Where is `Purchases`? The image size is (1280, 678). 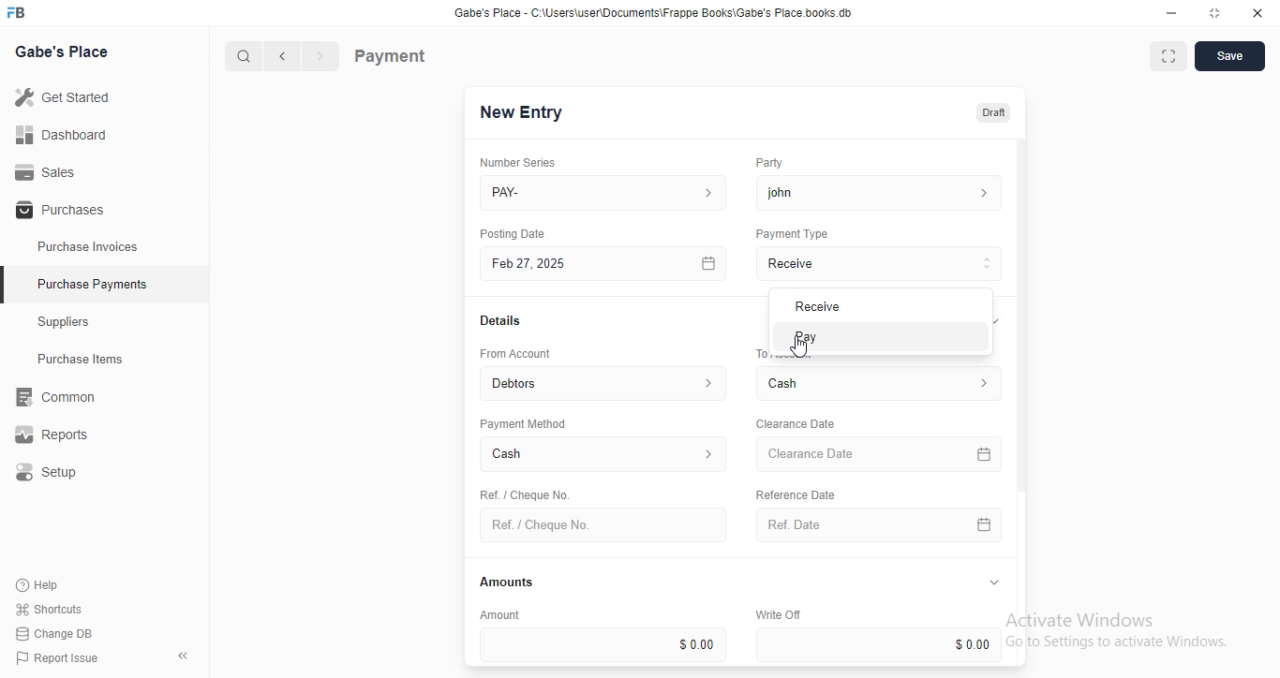
Purchases is located at coordinates (57, 211).